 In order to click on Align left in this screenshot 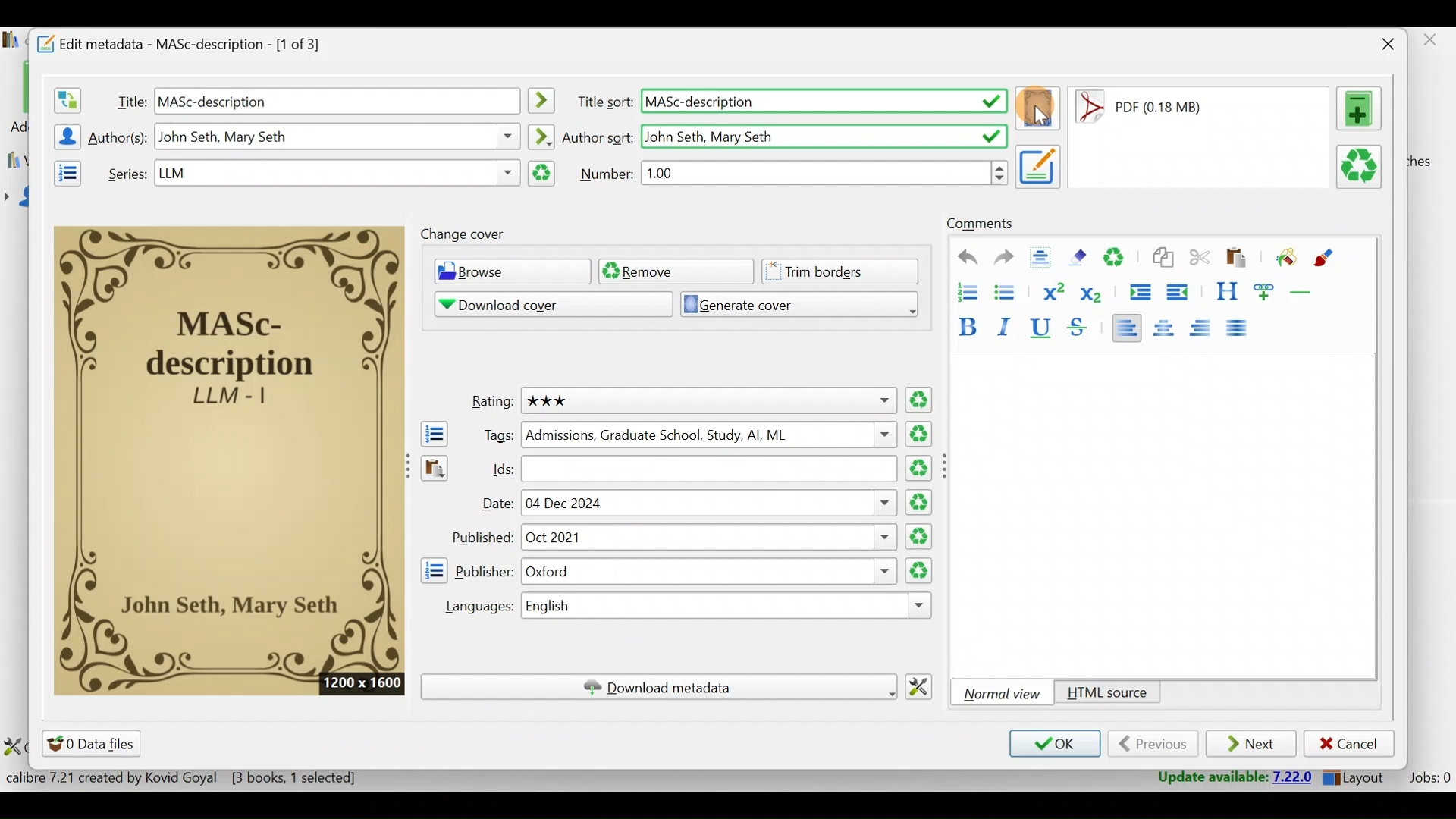, I will do `click(1126, 327)`.